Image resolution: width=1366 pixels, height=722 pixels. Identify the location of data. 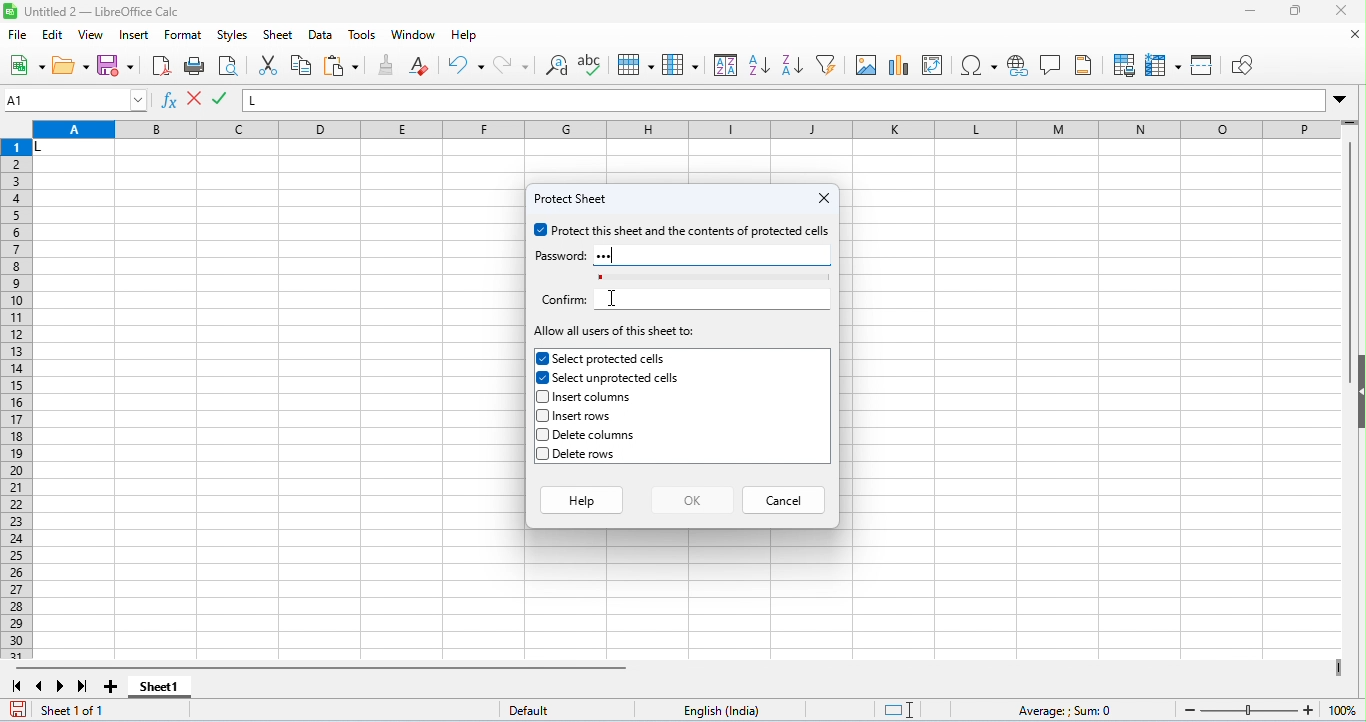
(323, 36).